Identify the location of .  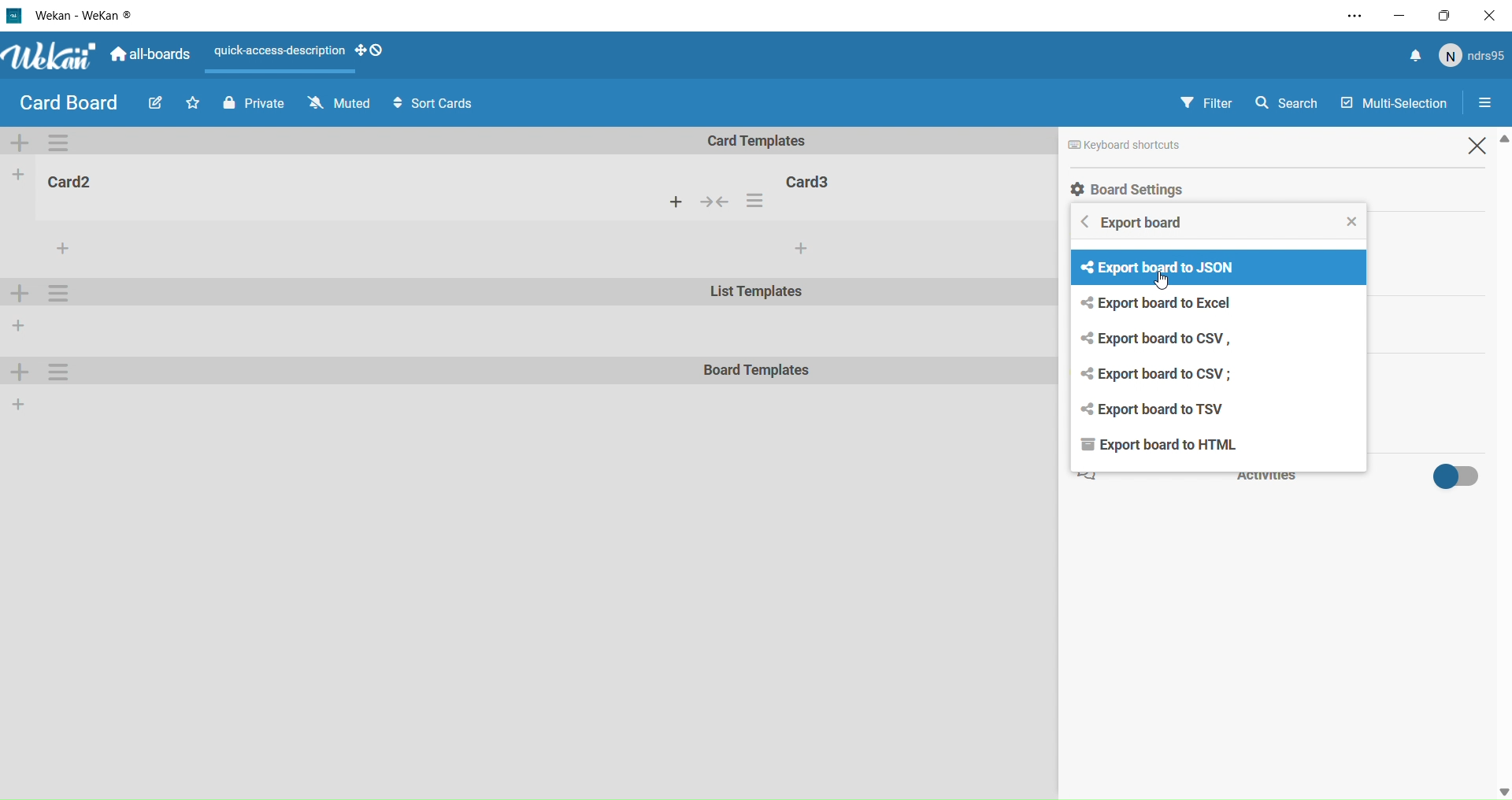
(92, 185).